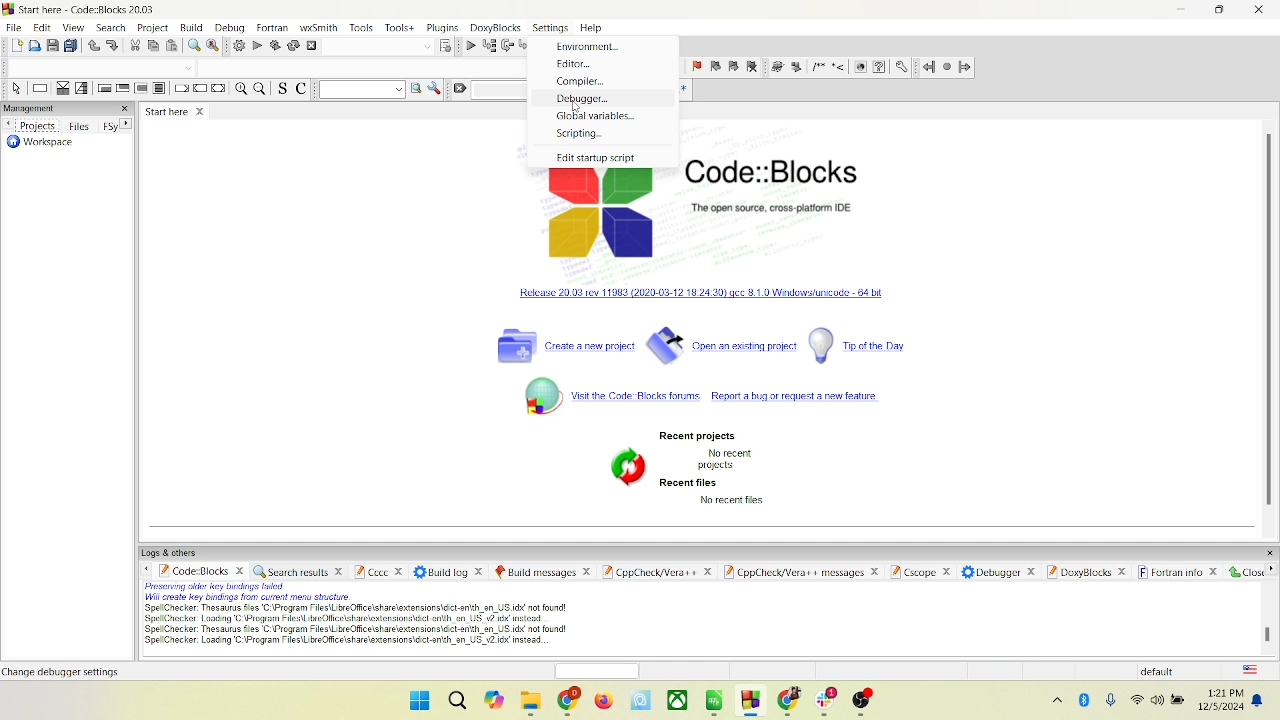 The width and height of the screenshot is (1280, 720). I want to click on entry condition loop, so click(105, 87).